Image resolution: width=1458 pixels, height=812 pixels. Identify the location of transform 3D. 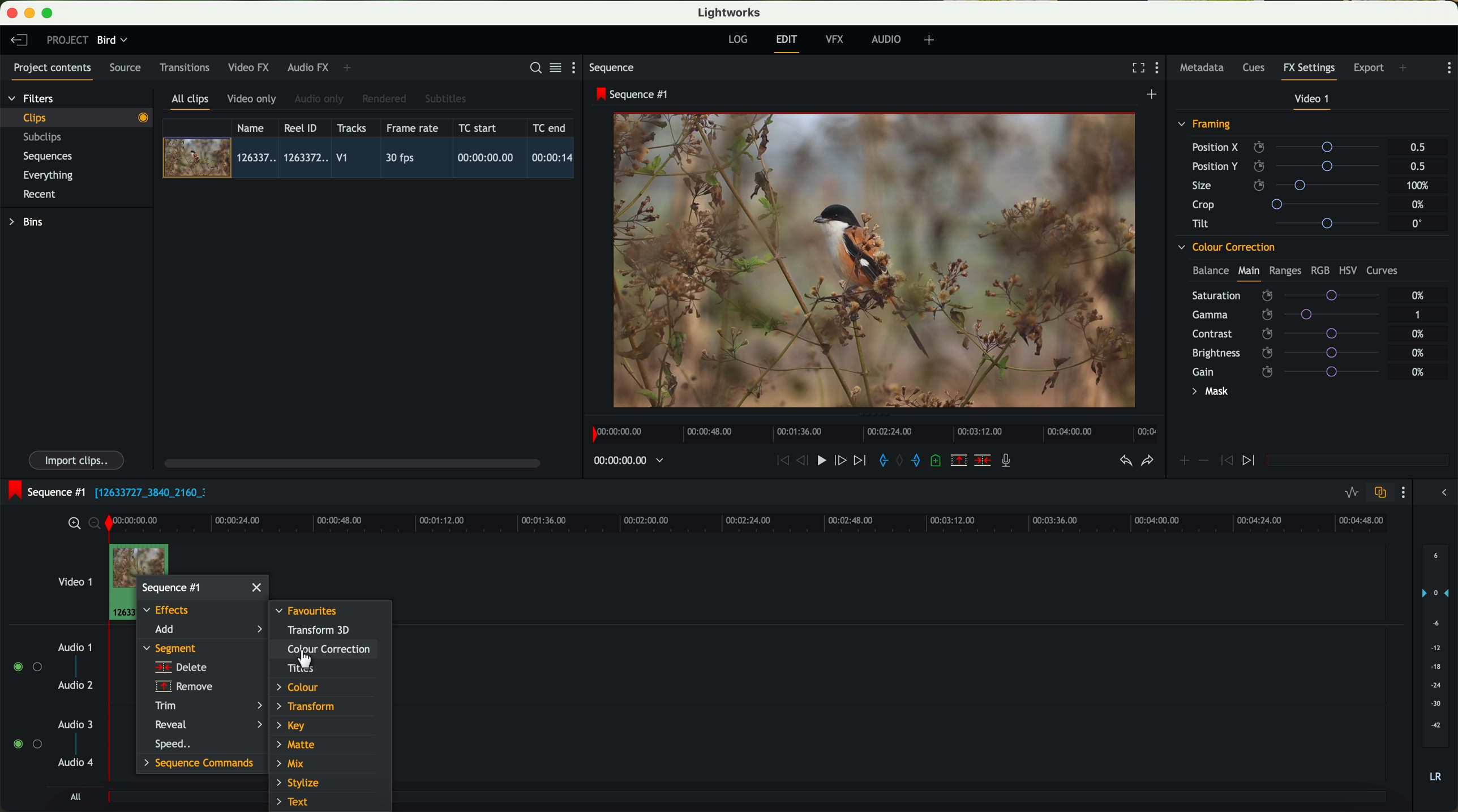
(318, 630).